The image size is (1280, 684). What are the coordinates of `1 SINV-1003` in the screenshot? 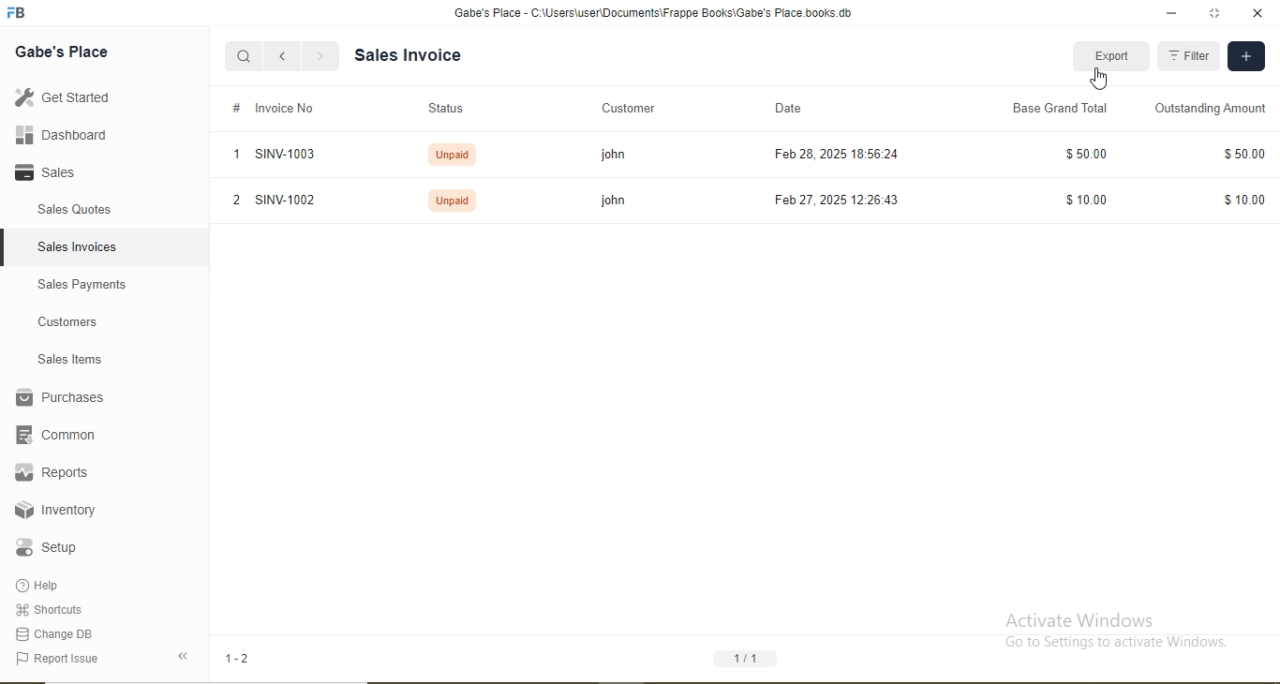 It's located at (271, 155).